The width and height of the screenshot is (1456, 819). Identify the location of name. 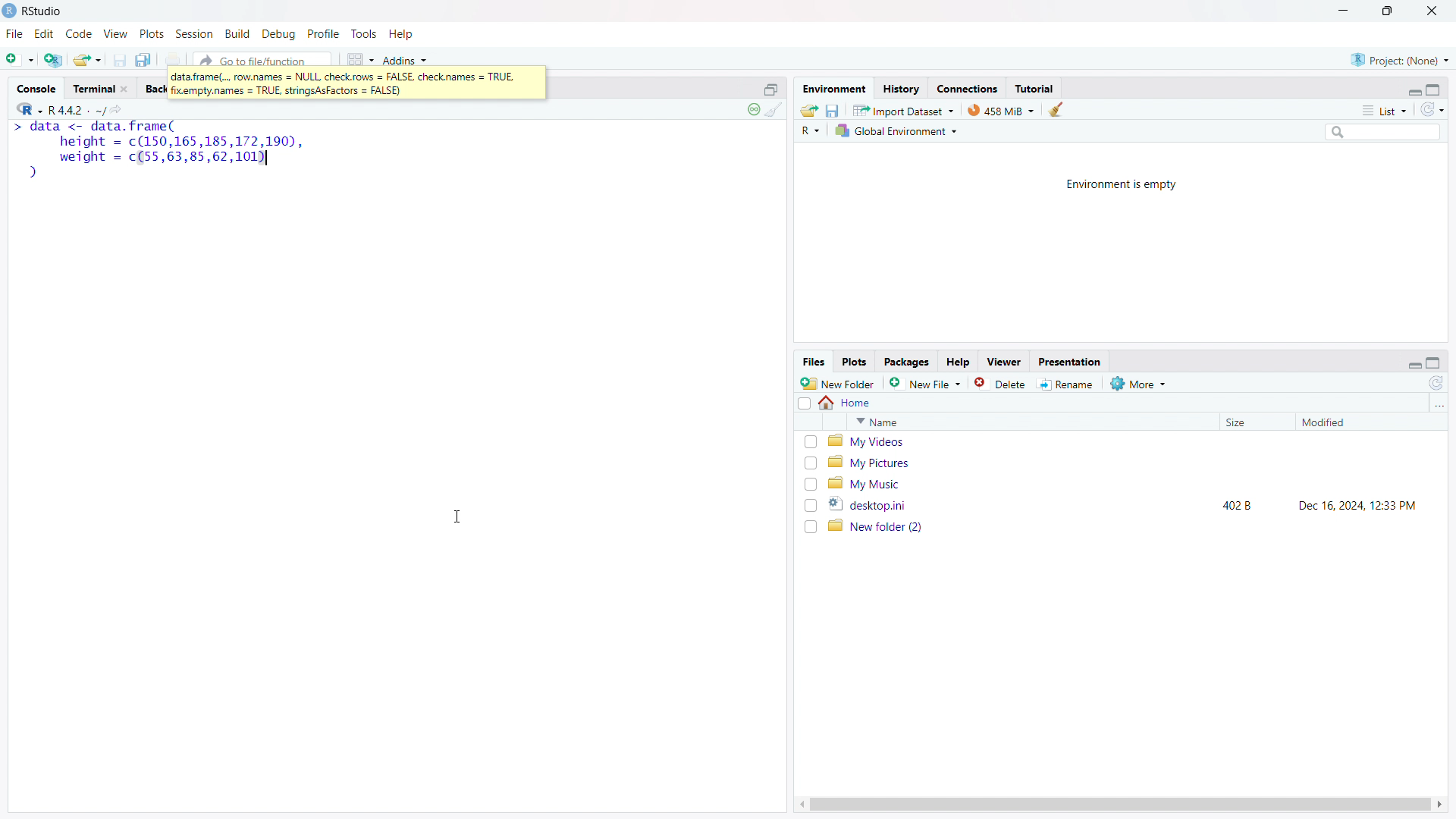
(1030, 422).